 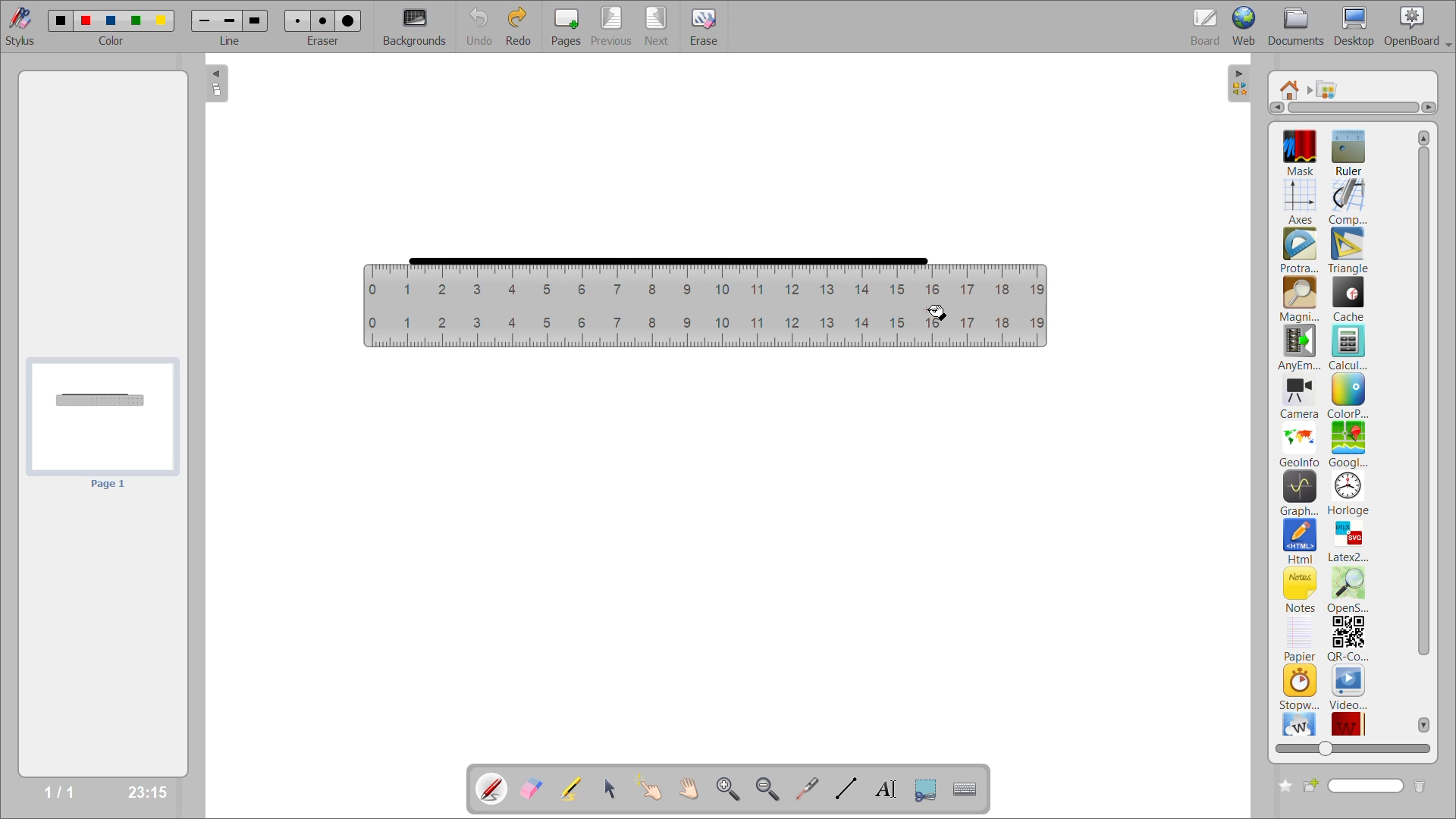 What do you see at coordinates (206, 22) in the screenshot?
I see `line 1` at bounding box center [206, 22].